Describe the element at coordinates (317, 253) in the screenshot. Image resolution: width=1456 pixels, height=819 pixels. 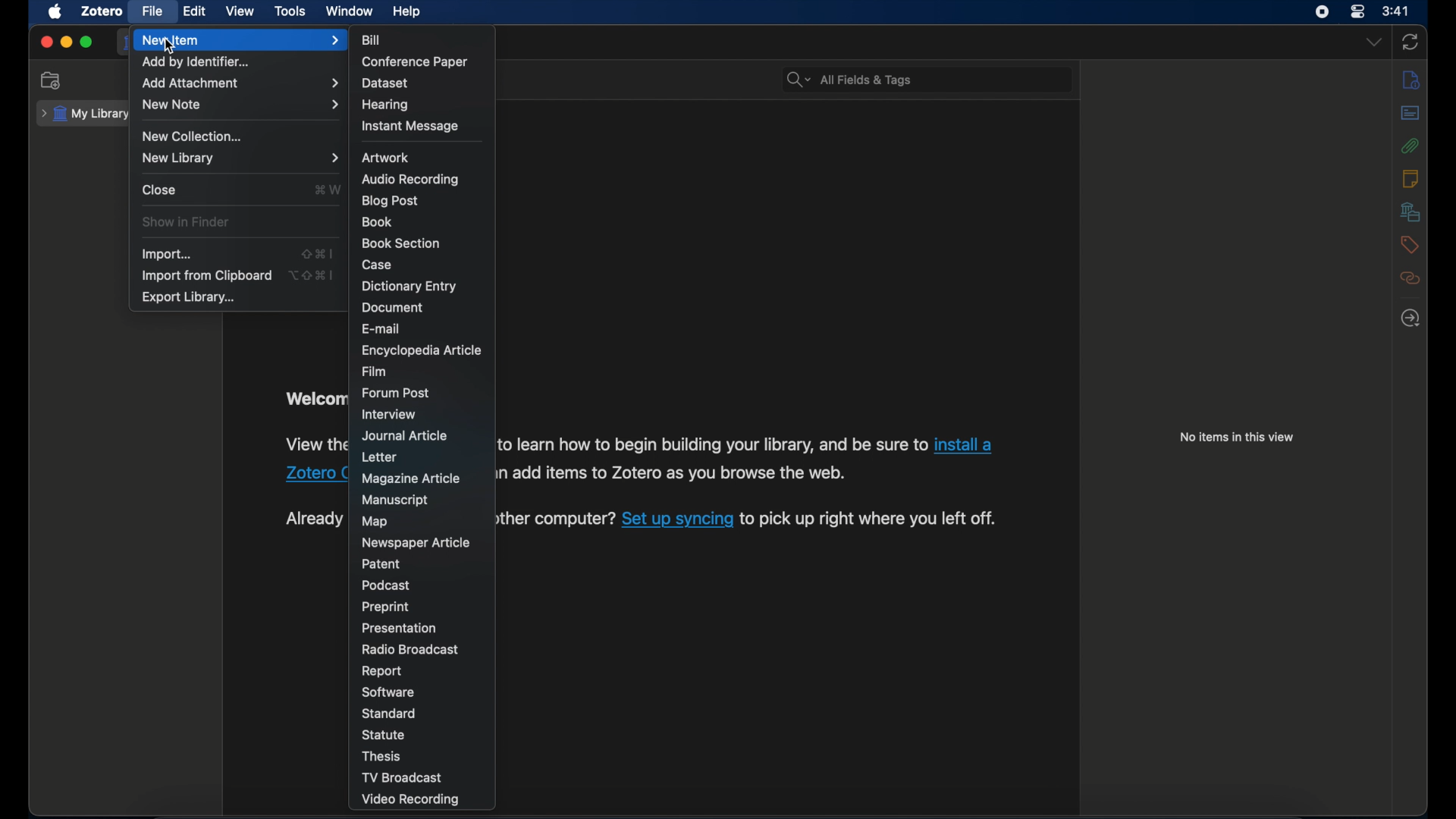
I see `shortcut` at that location.